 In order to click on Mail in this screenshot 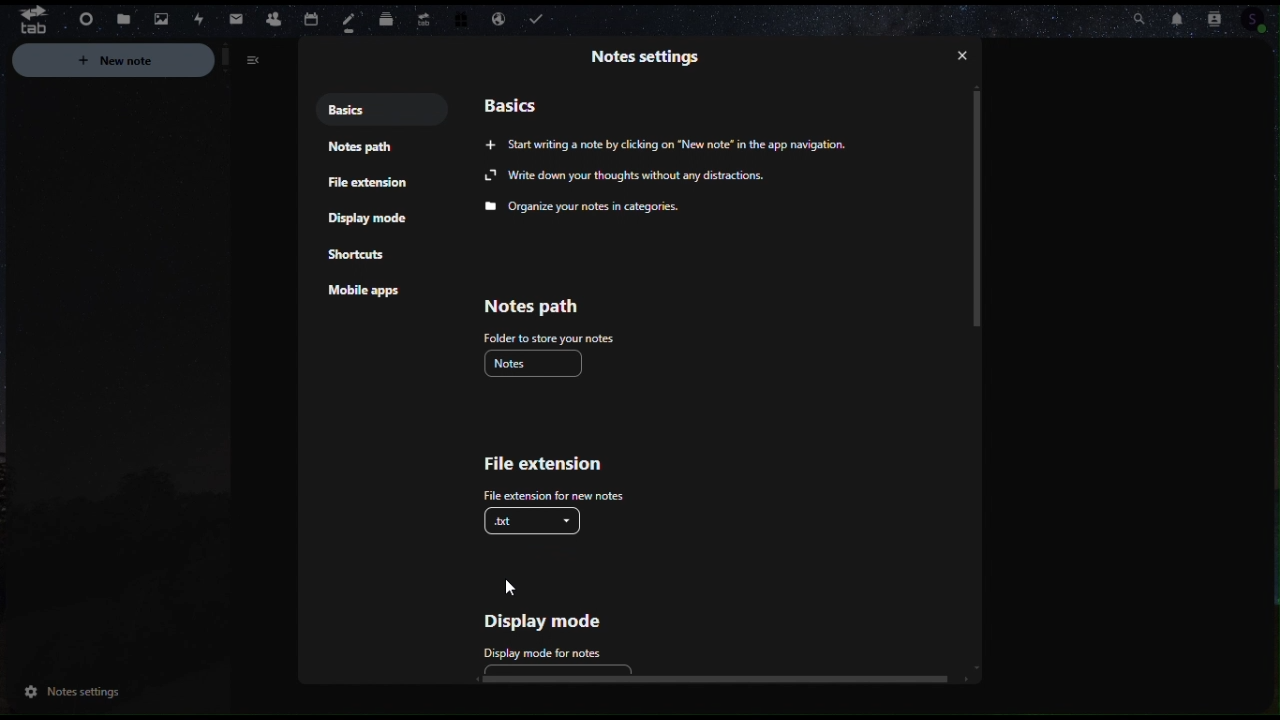, I will do `click(237, 20)`.